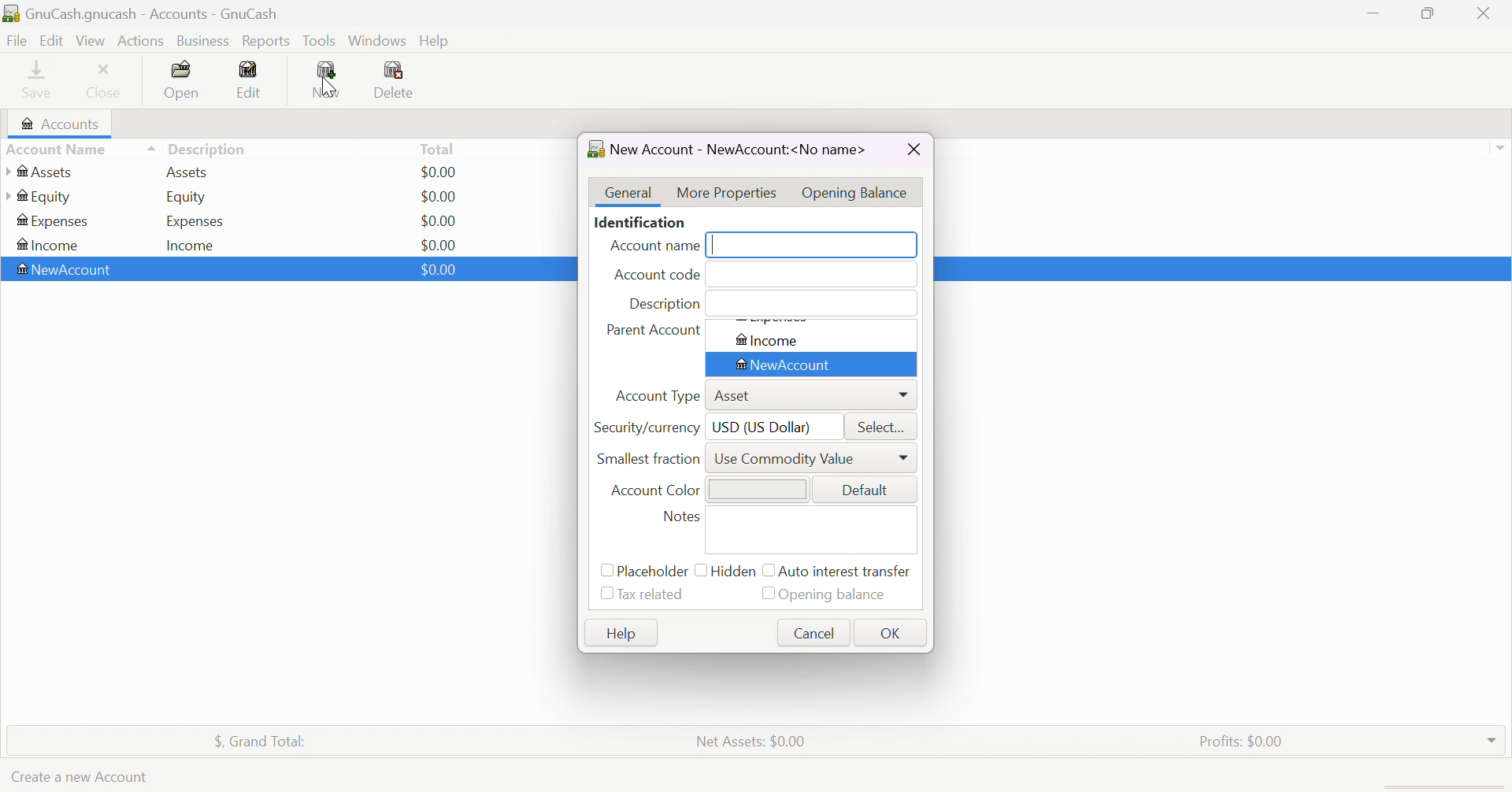  I want to click on Cancel, so click(815, 633).